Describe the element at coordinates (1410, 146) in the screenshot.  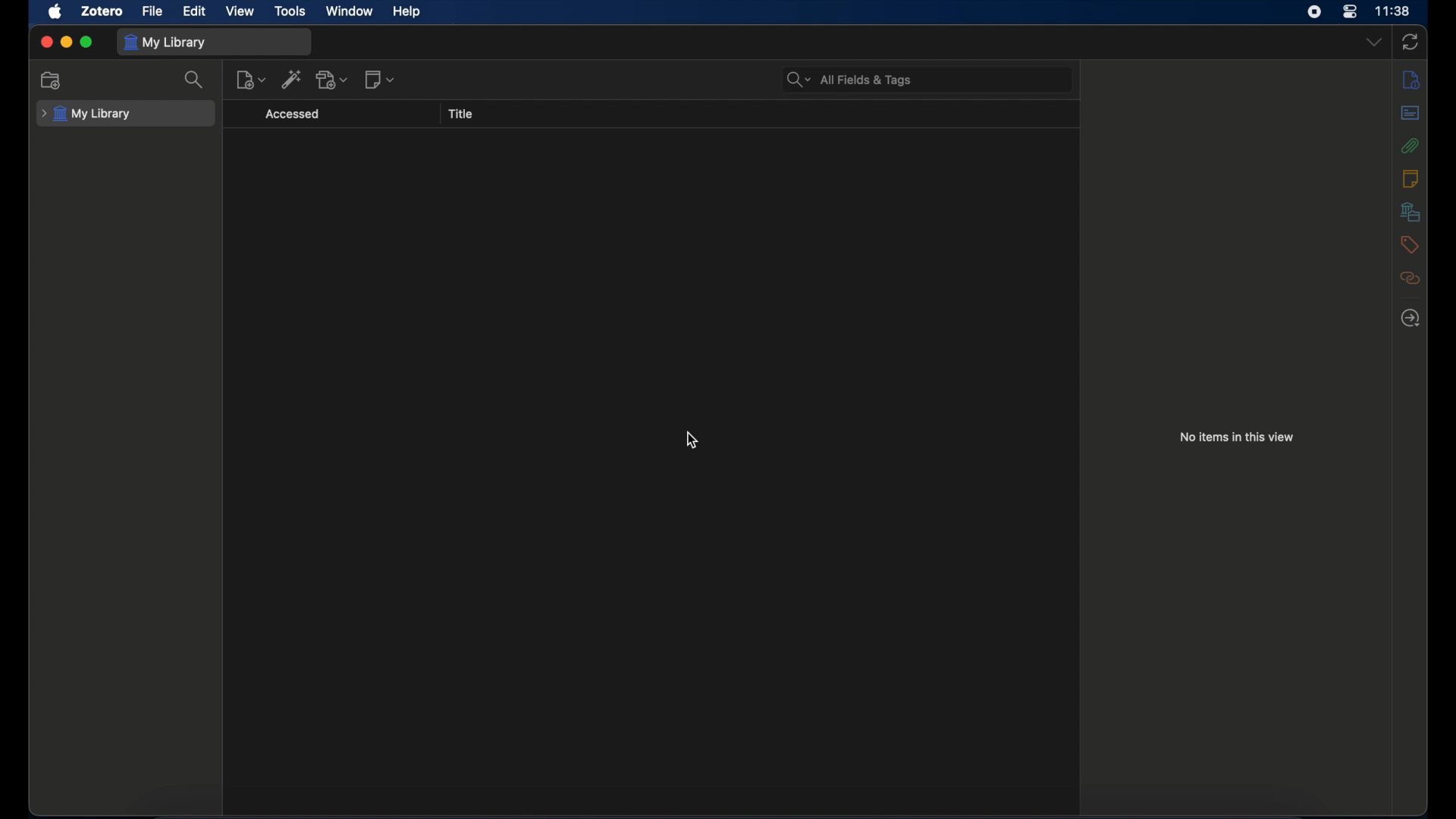
I see `attachments` at that location.